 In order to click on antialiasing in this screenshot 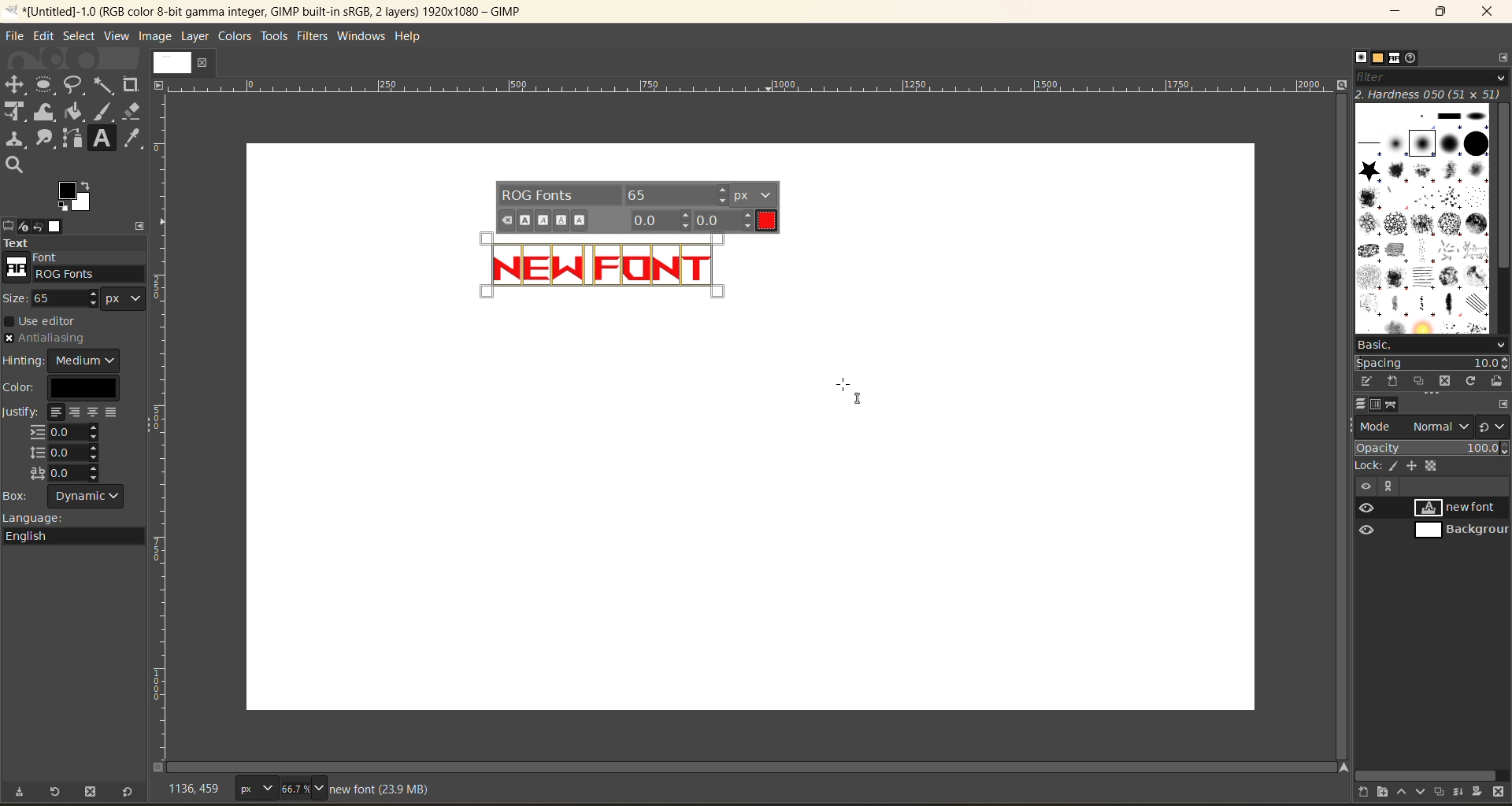, I will do `click(46, 339)`.